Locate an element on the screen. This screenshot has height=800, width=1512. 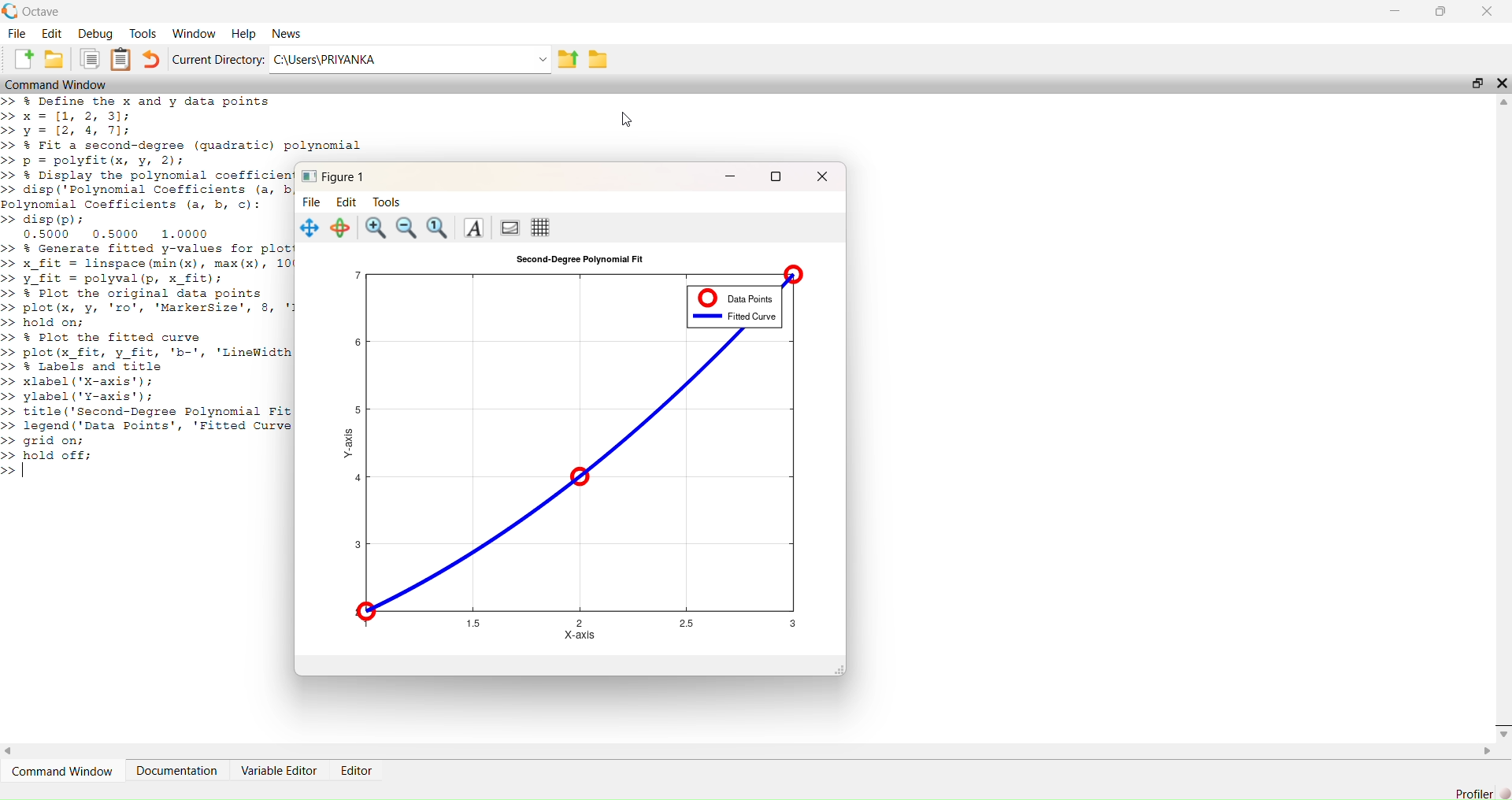
Maximize is located at coordinates (1476, 83).